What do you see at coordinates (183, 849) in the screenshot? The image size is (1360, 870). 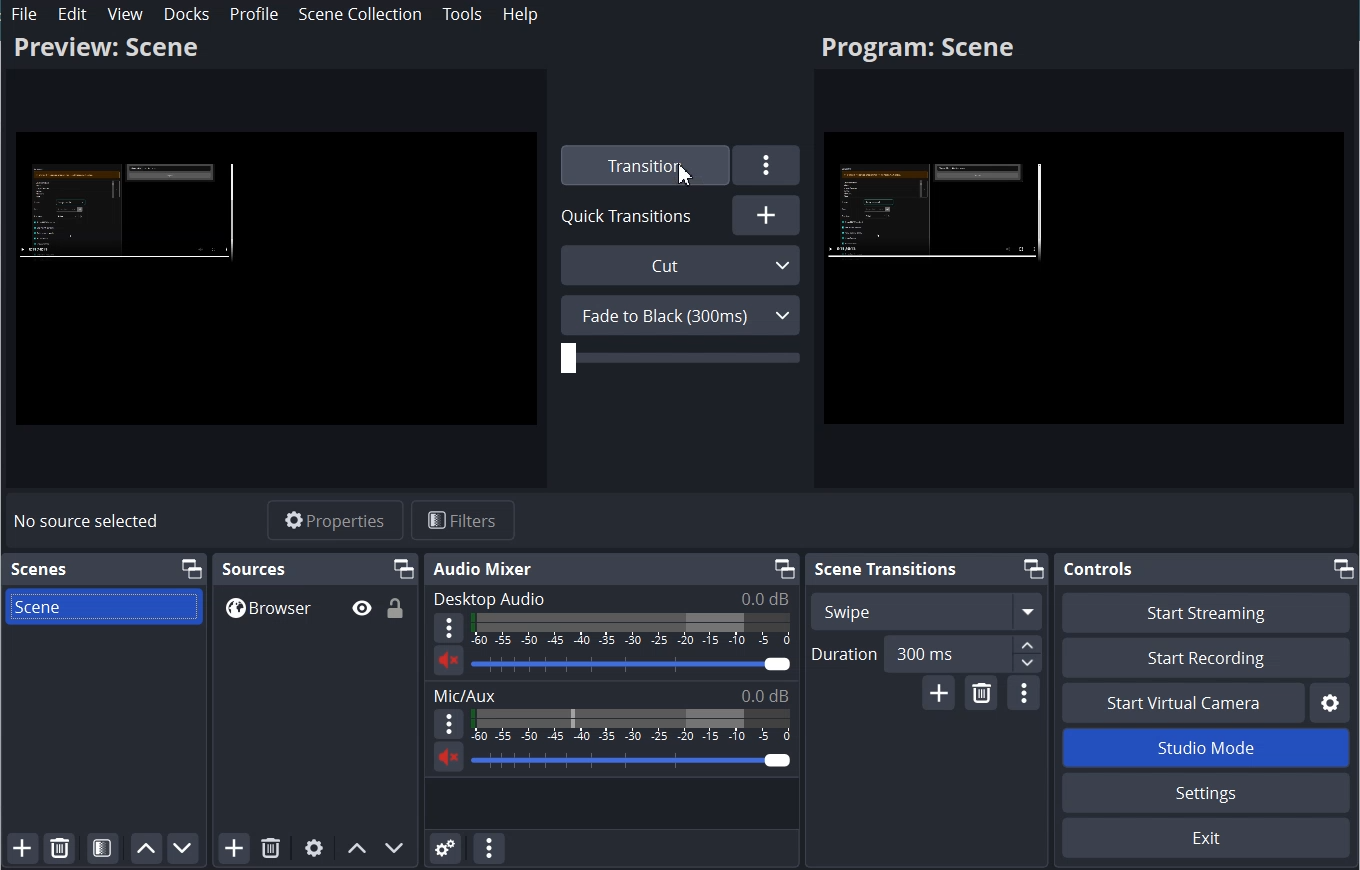 I see `Move Scene down` at bounding box center [183, 849].